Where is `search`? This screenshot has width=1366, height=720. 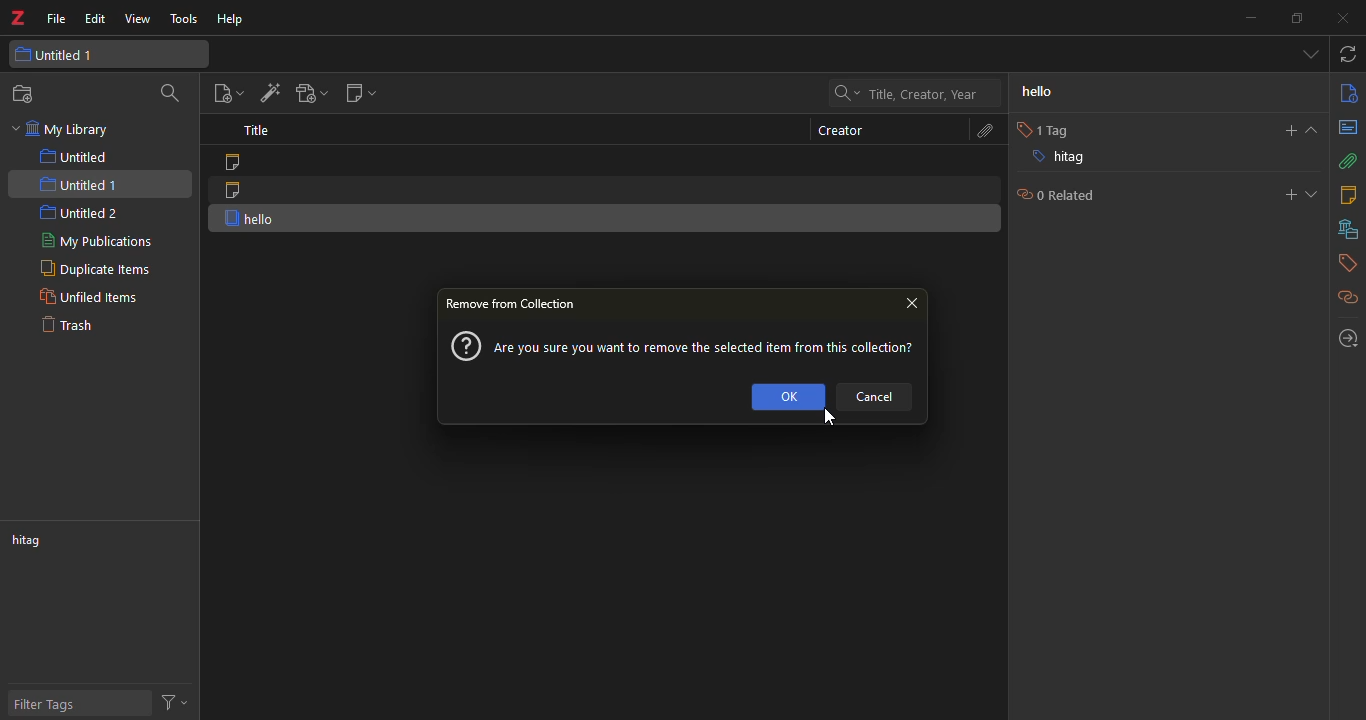
search is located at coordinates (903, 93).